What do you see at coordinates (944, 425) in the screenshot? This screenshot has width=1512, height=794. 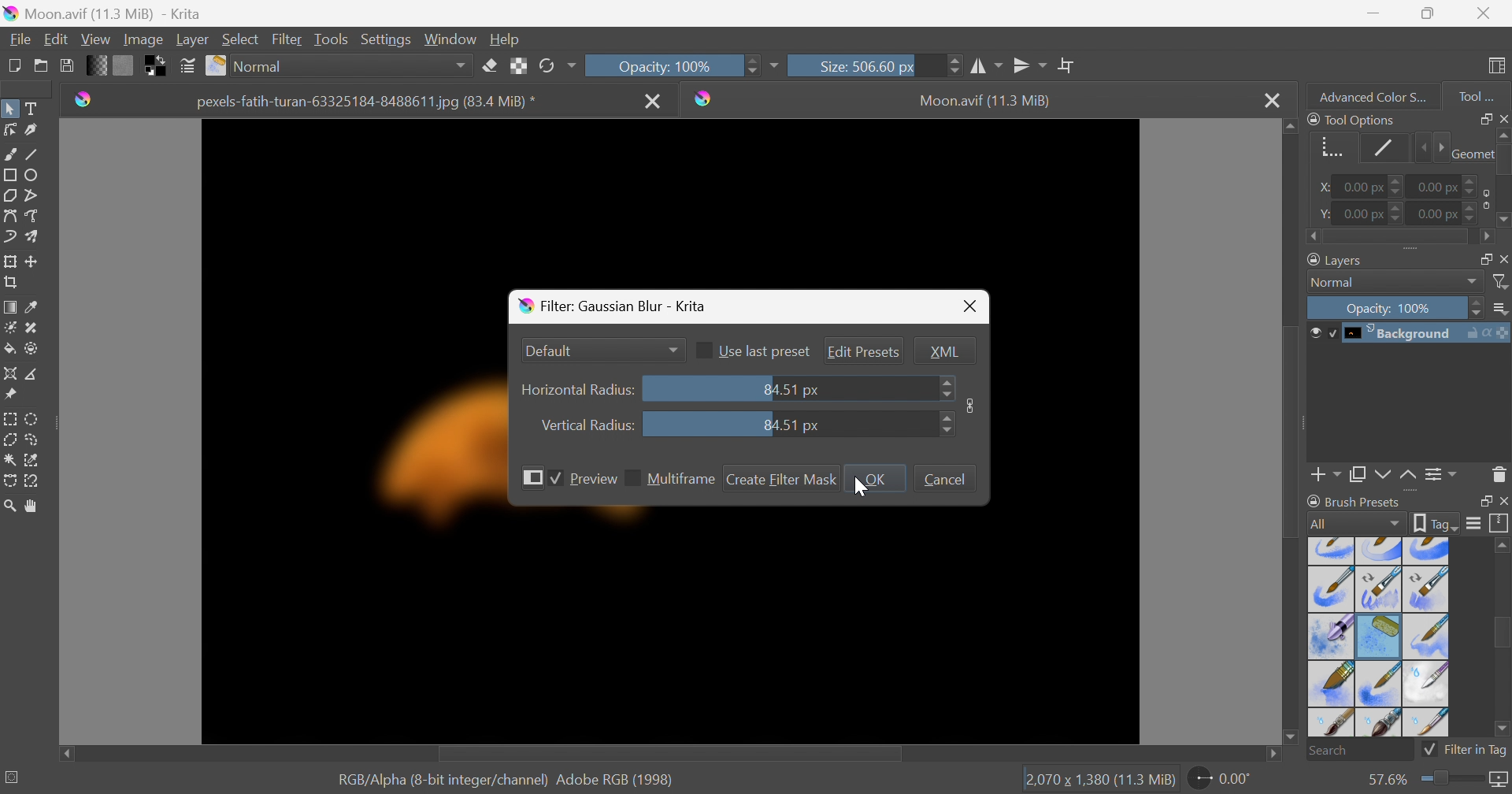 I see `Slider` at bounding box center [944, 425].